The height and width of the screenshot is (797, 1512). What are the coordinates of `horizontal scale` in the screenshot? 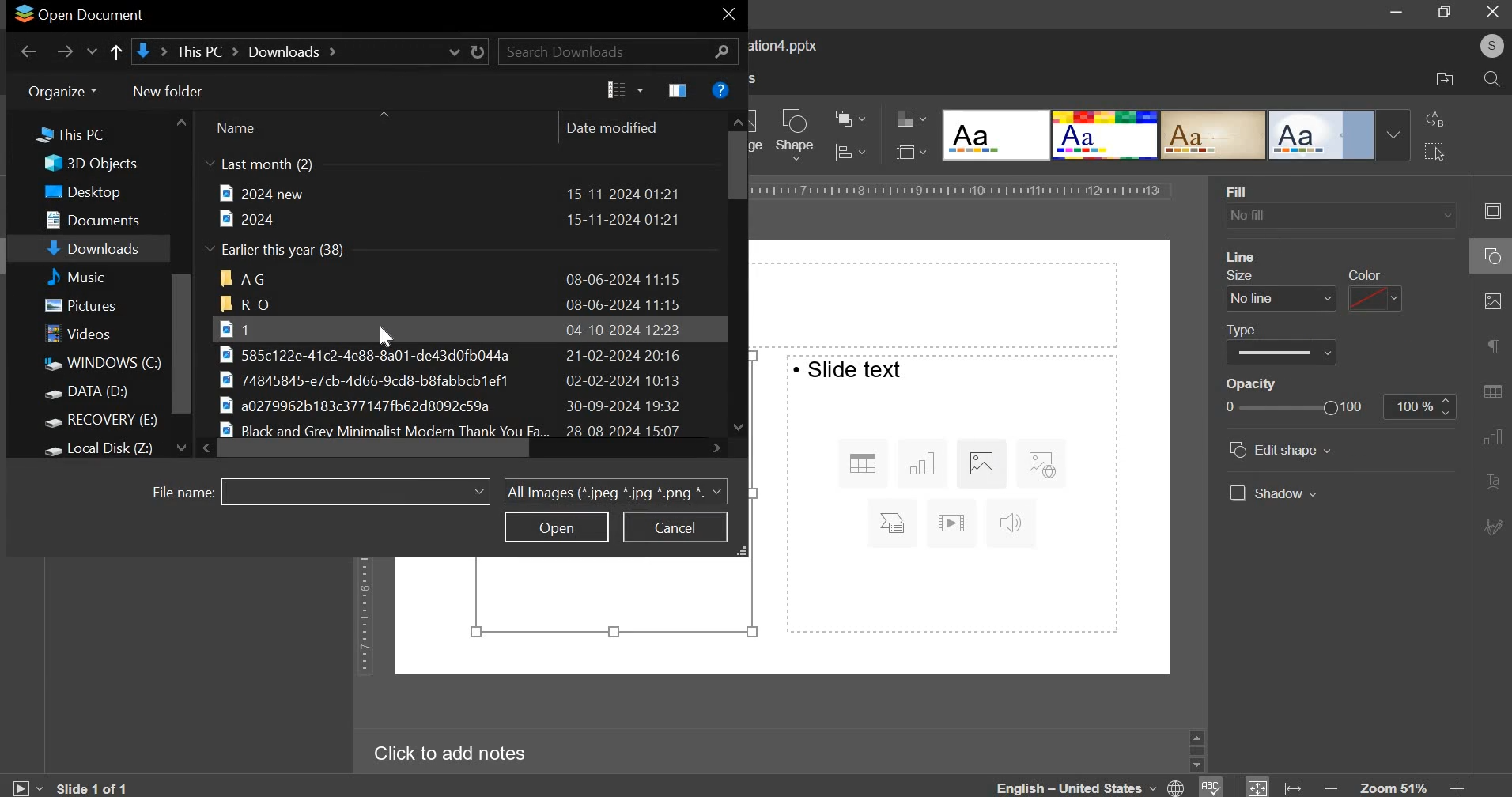 It's located at (961, 189).